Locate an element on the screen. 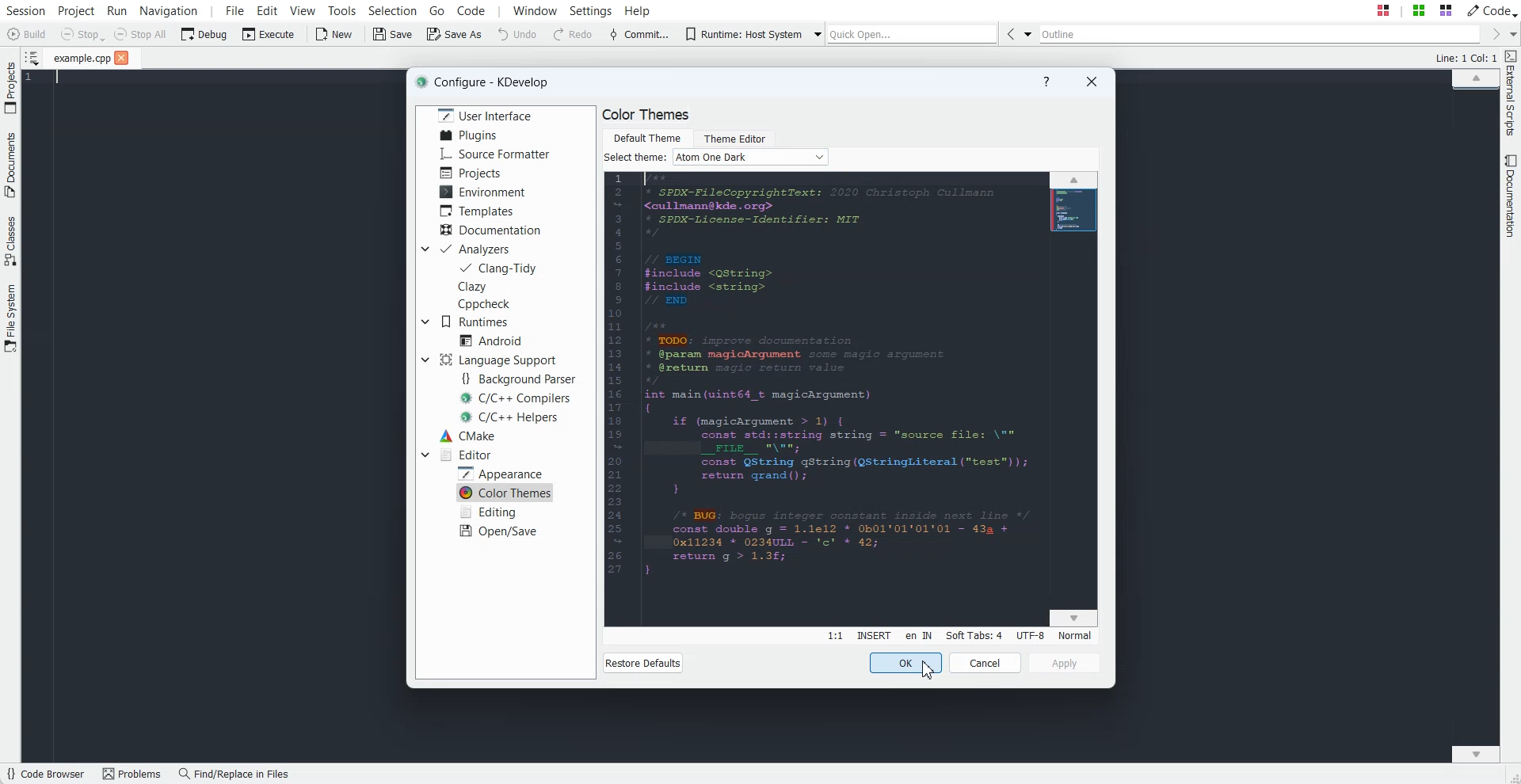 This screenshot has width=1521, height=784. Save As is located at coordinates (454, 35).